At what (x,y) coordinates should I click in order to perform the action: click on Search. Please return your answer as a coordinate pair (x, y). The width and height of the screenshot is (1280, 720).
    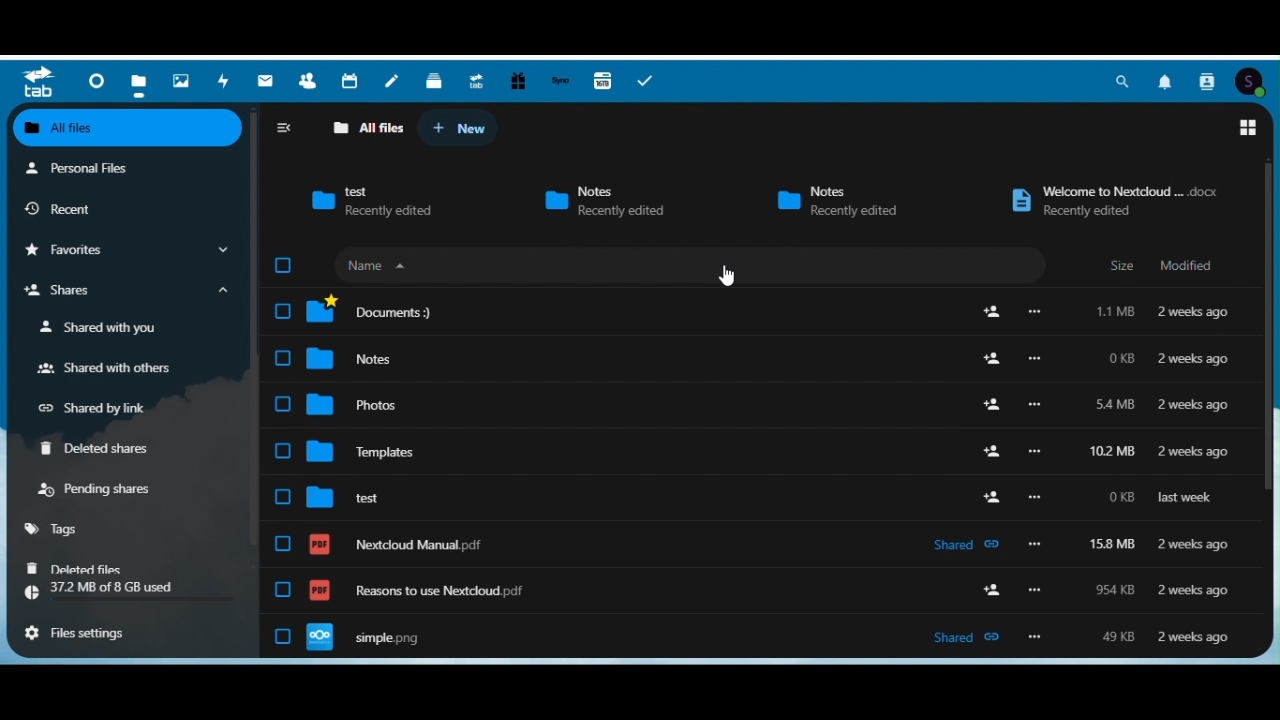
    Looking at the image, I should click on (1126, 79).